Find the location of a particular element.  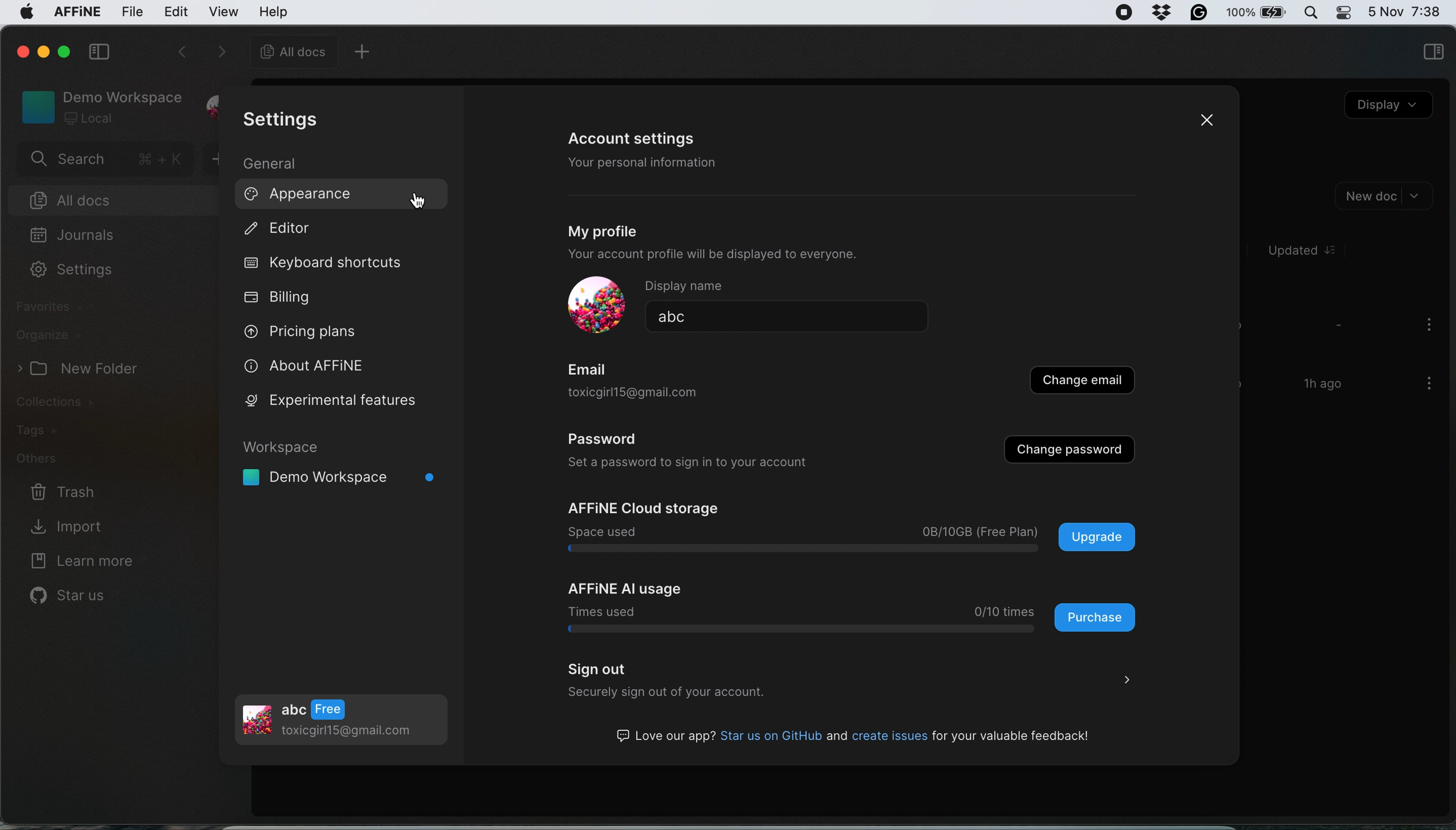

all docs is located at coordinates (103, 199).